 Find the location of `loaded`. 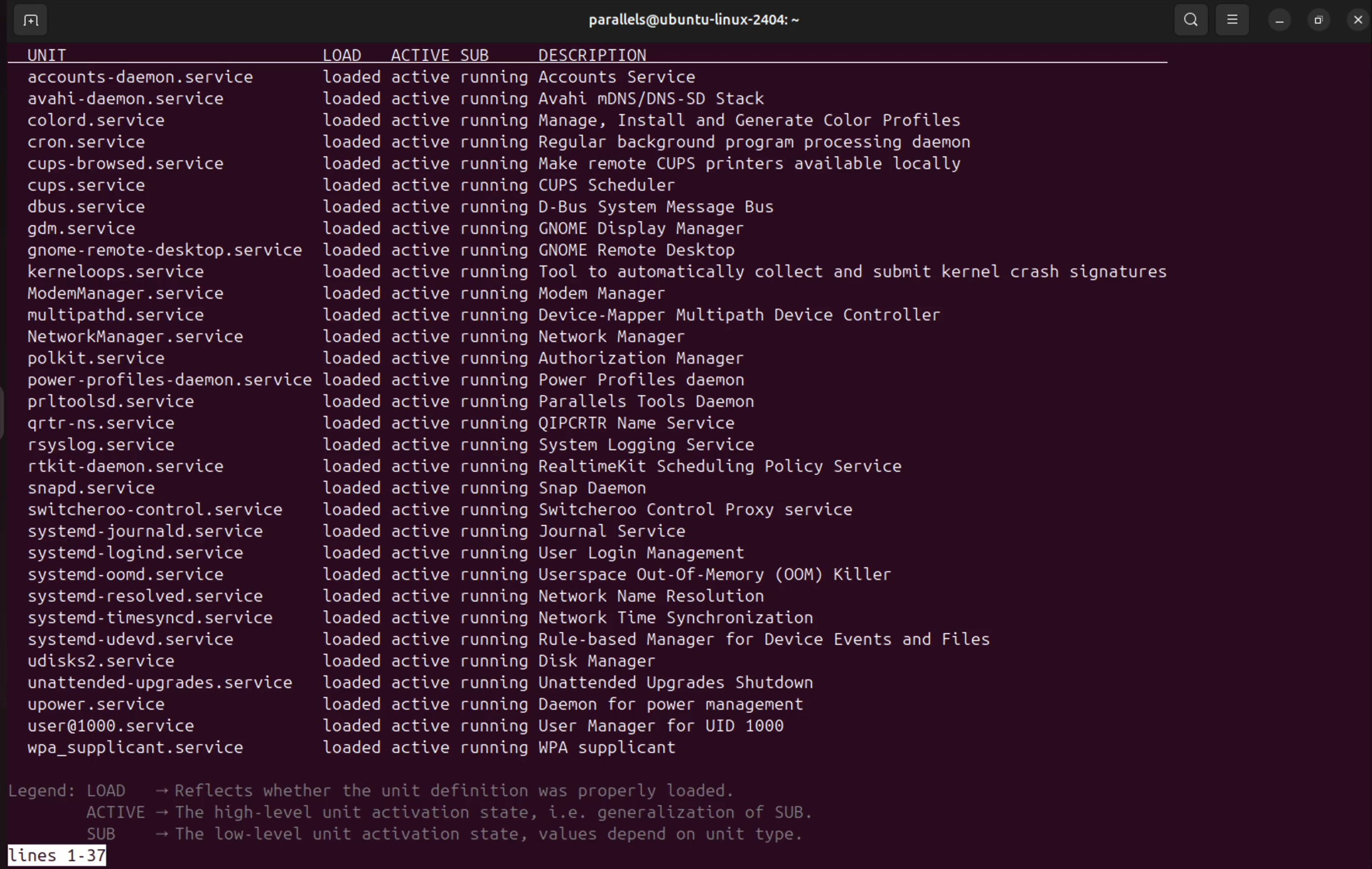

loaded is located at coordinates (351, 121).